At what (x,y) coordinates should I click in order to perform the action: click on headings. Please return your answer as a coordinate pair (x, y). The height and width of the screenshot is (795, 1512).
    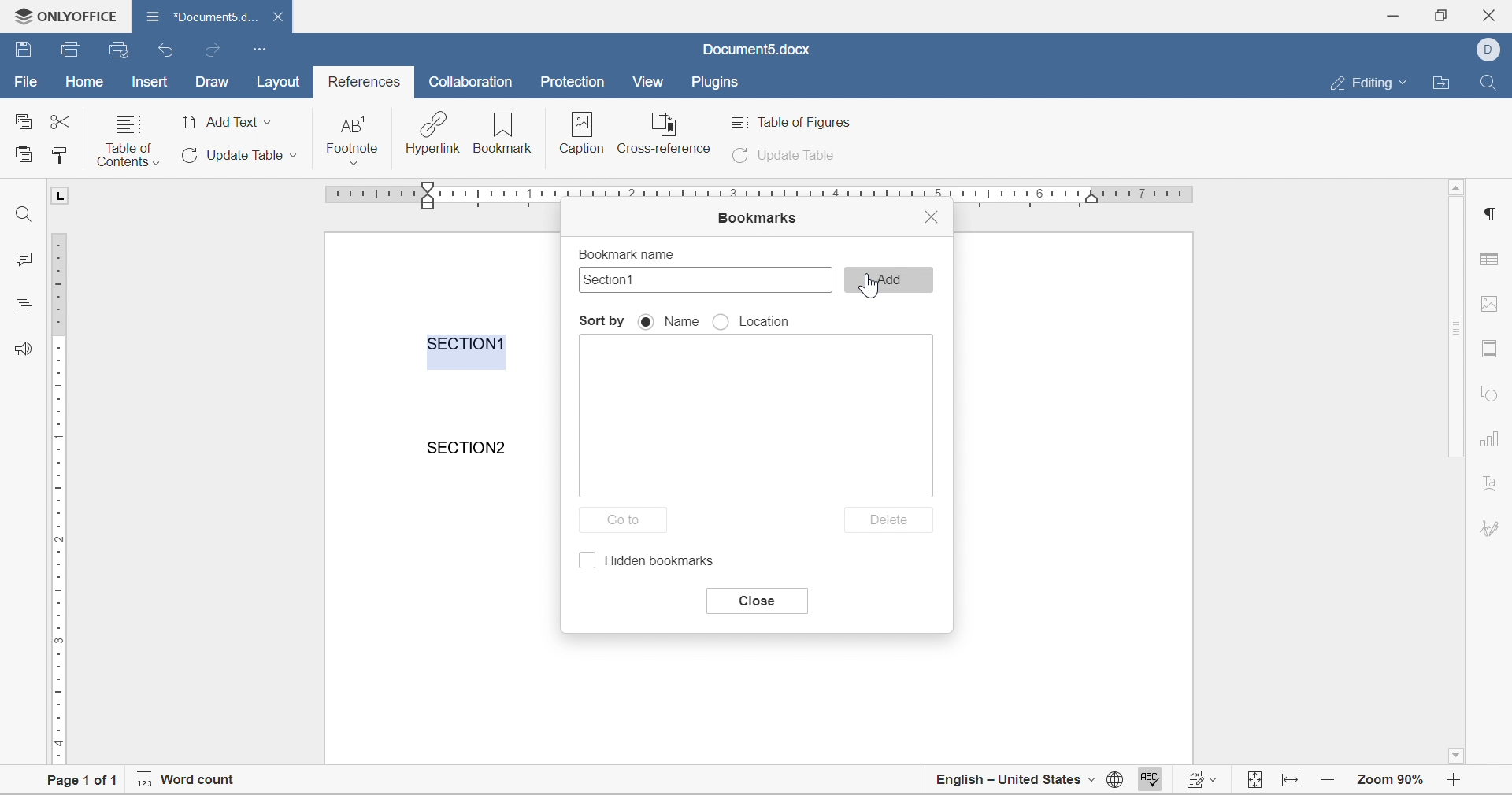
    Looking at the image, I should click on (21, 302).